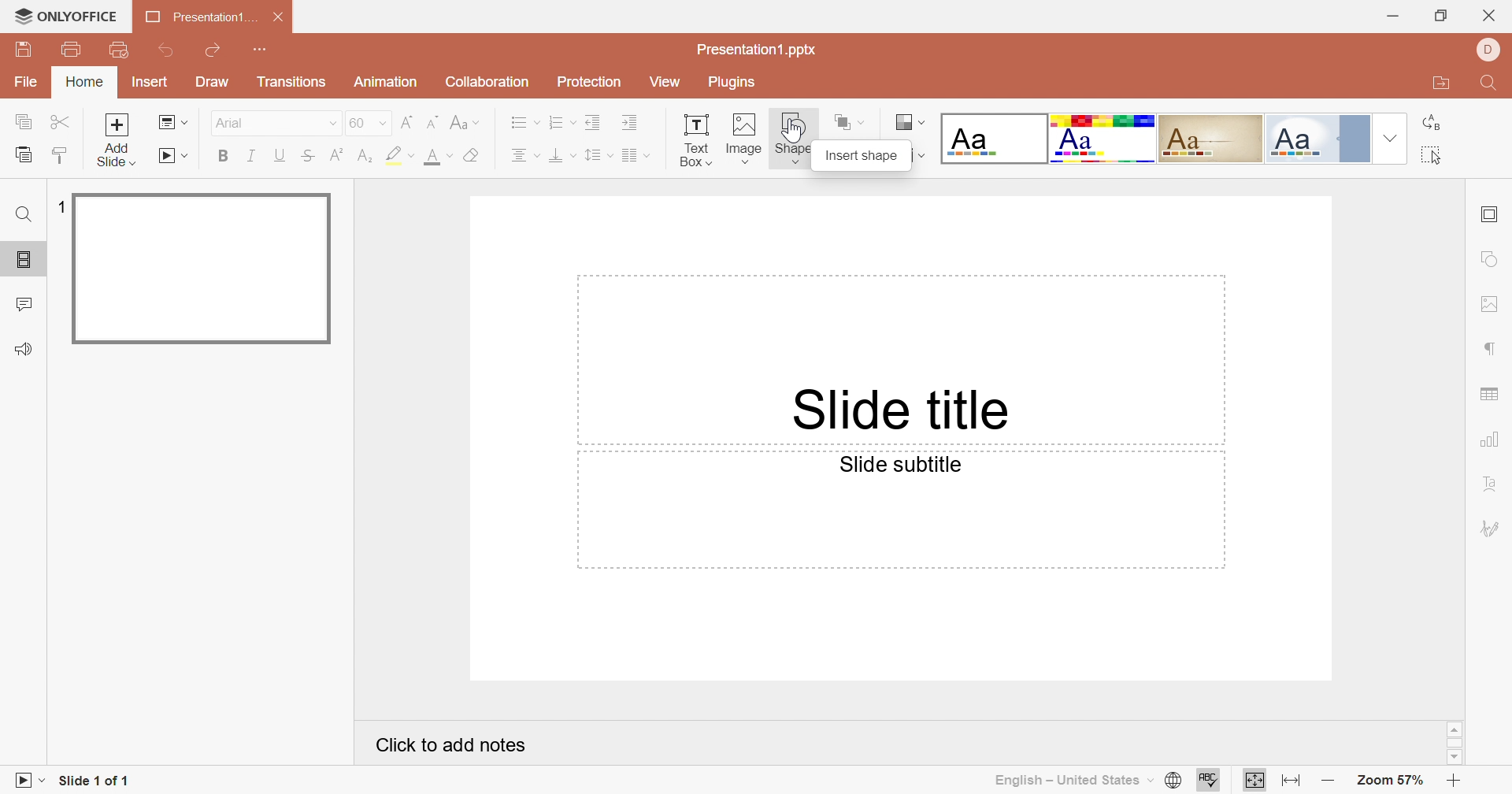 The width and height of the screenshot is (1512, 794). I want to click on Start slideshow, so click(173, 156).